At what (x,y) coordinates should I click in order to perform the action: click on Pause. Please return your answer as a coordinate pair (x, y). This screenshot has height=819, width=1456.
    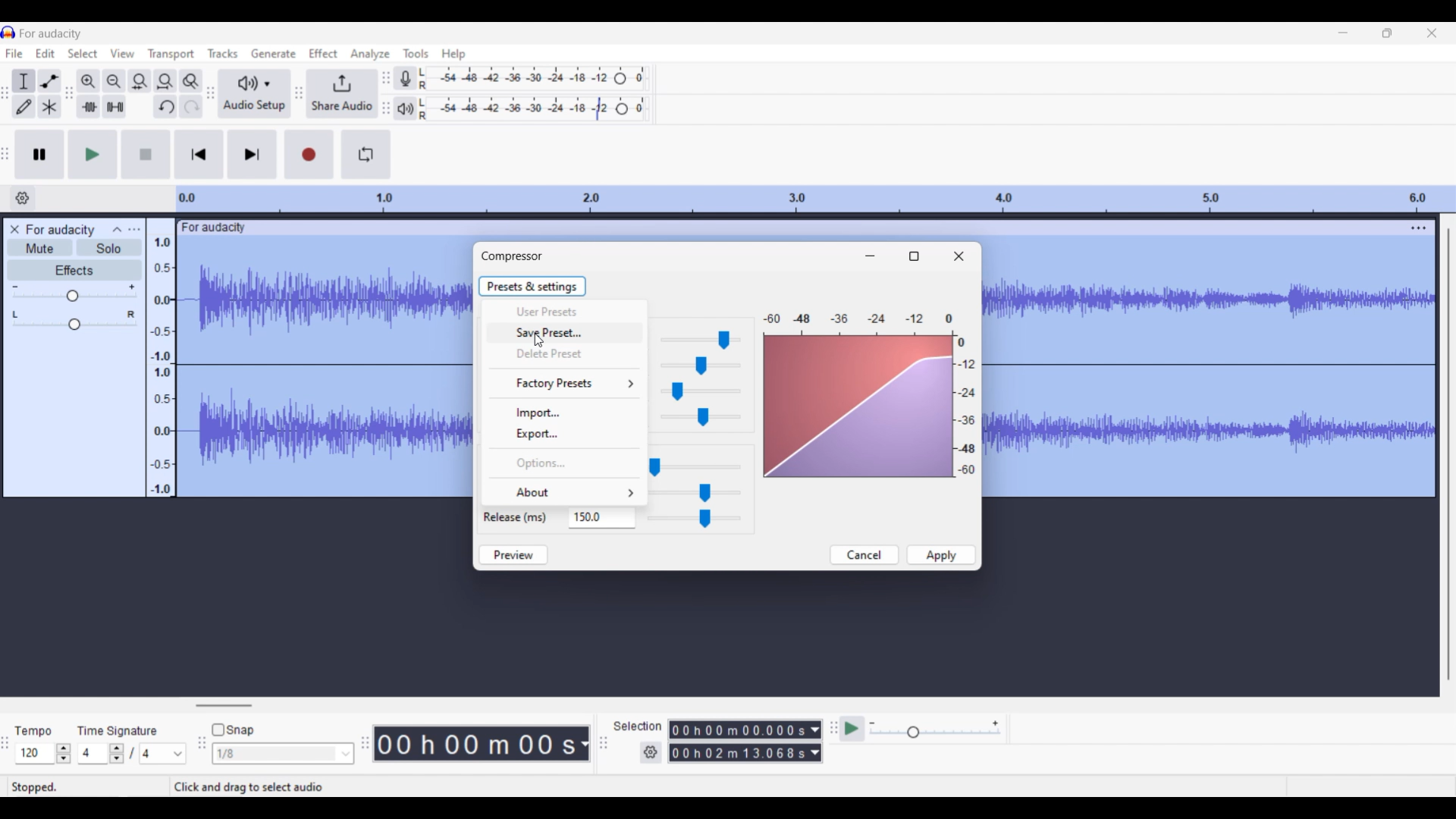
    Looking at the image, I should click on (40, 155).